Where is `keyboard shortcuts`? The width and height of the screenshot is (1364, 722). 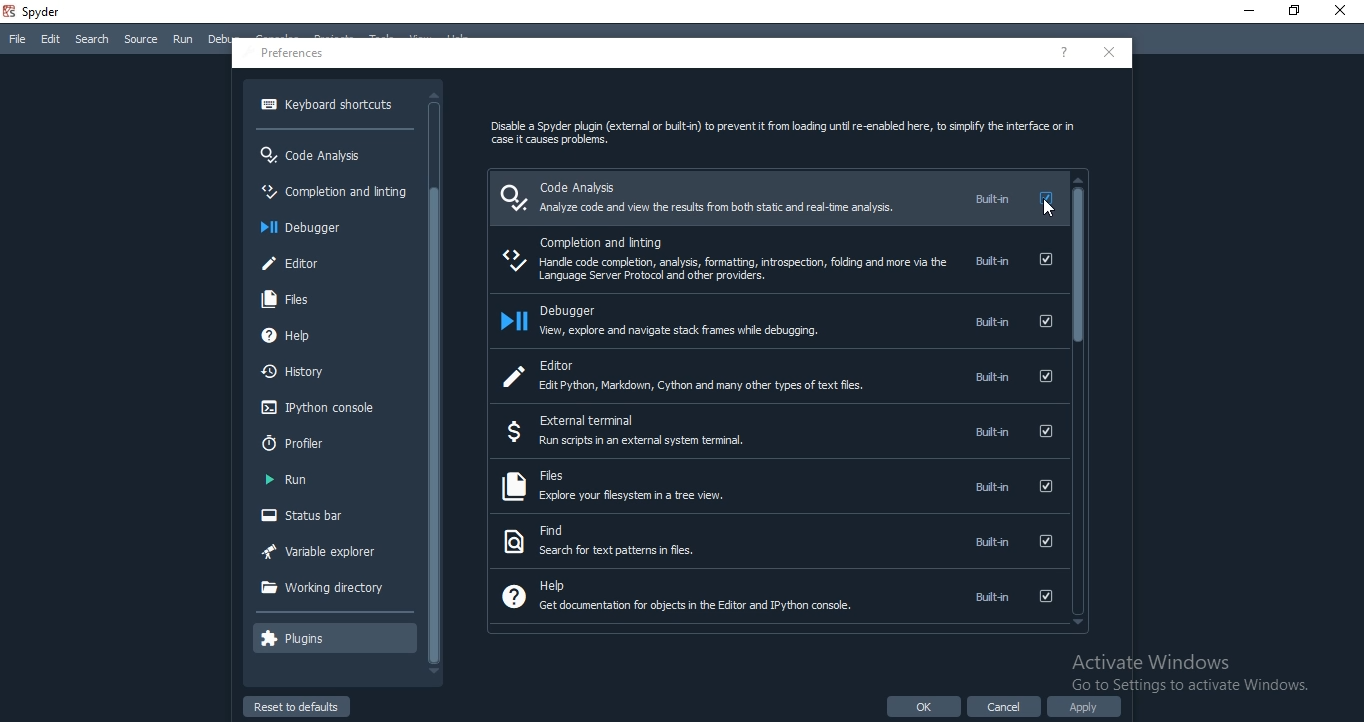 keyboard shortcuts is located at coordinates (329, 109).